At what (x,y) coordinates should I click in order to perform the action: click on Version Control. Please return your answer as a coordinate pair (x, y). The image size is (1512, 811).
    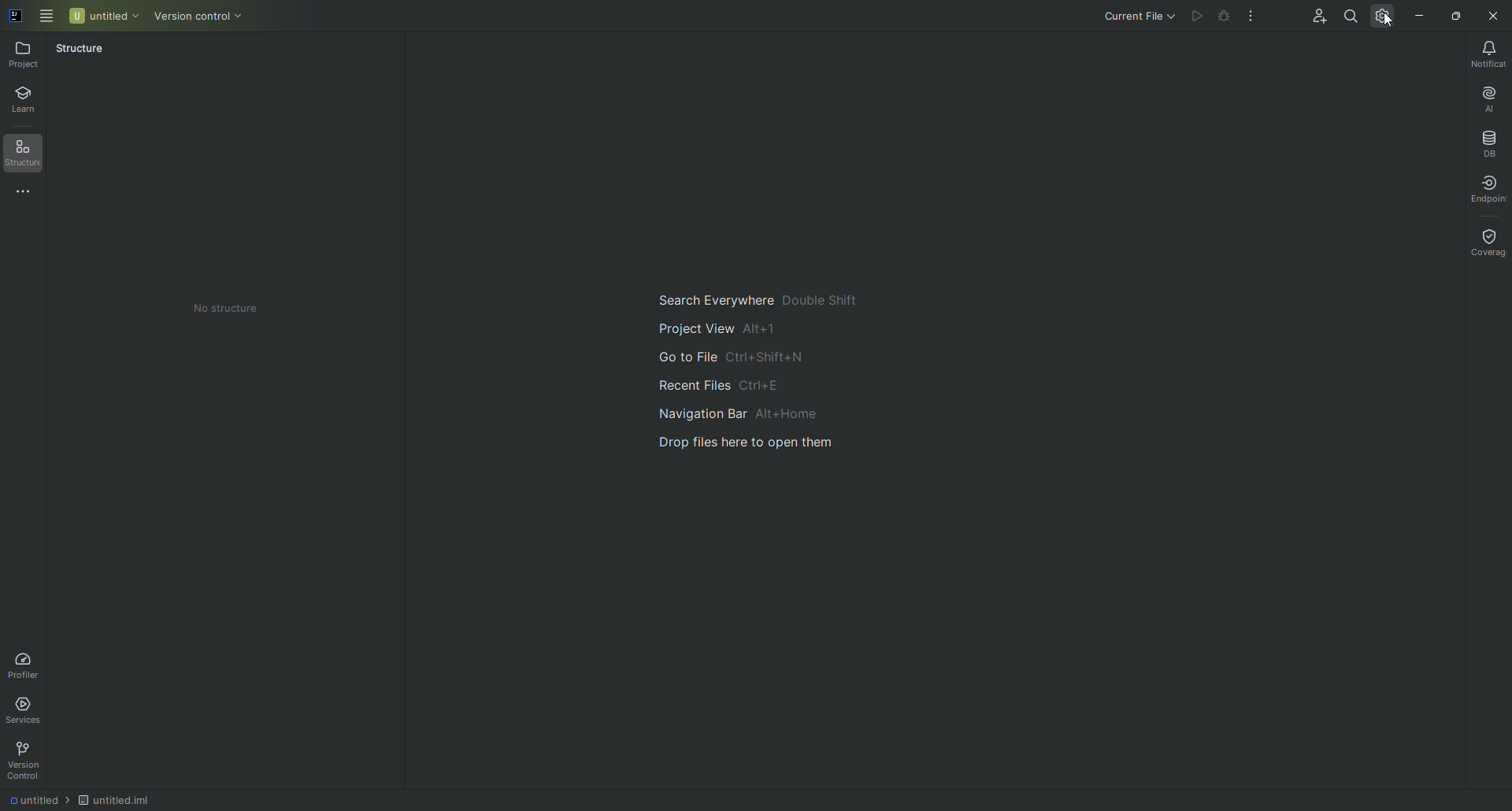
    Looking at the image, I should click on (28, 759).